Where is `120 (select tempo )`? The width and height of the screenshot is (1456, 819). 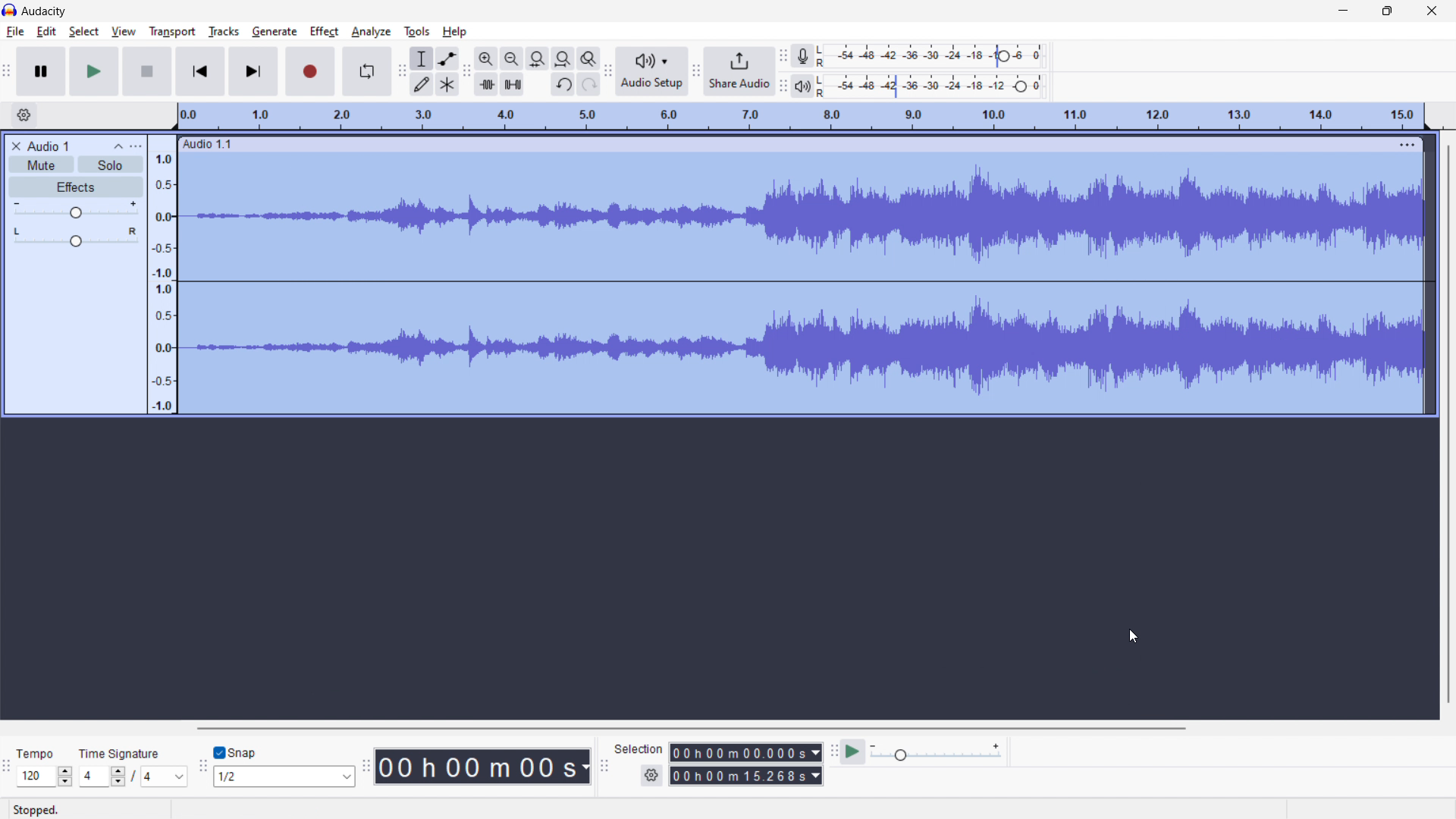 120 (select tempo ) is located at coordinates (44, 777).